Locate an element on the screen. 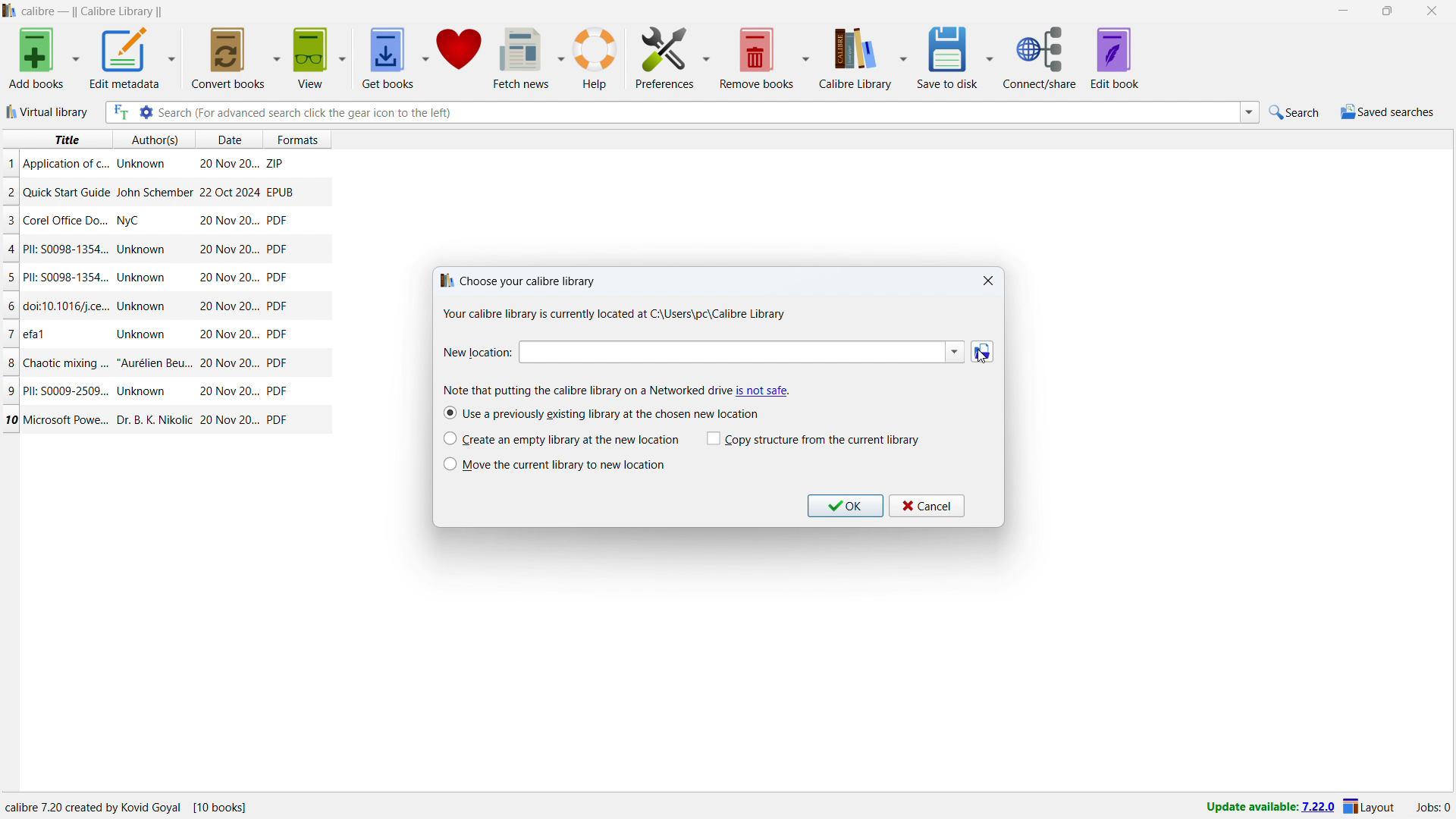 Image resolution: width=1456 pixels, height=819 pixels. calibre library is located at coordinates (852, 60).